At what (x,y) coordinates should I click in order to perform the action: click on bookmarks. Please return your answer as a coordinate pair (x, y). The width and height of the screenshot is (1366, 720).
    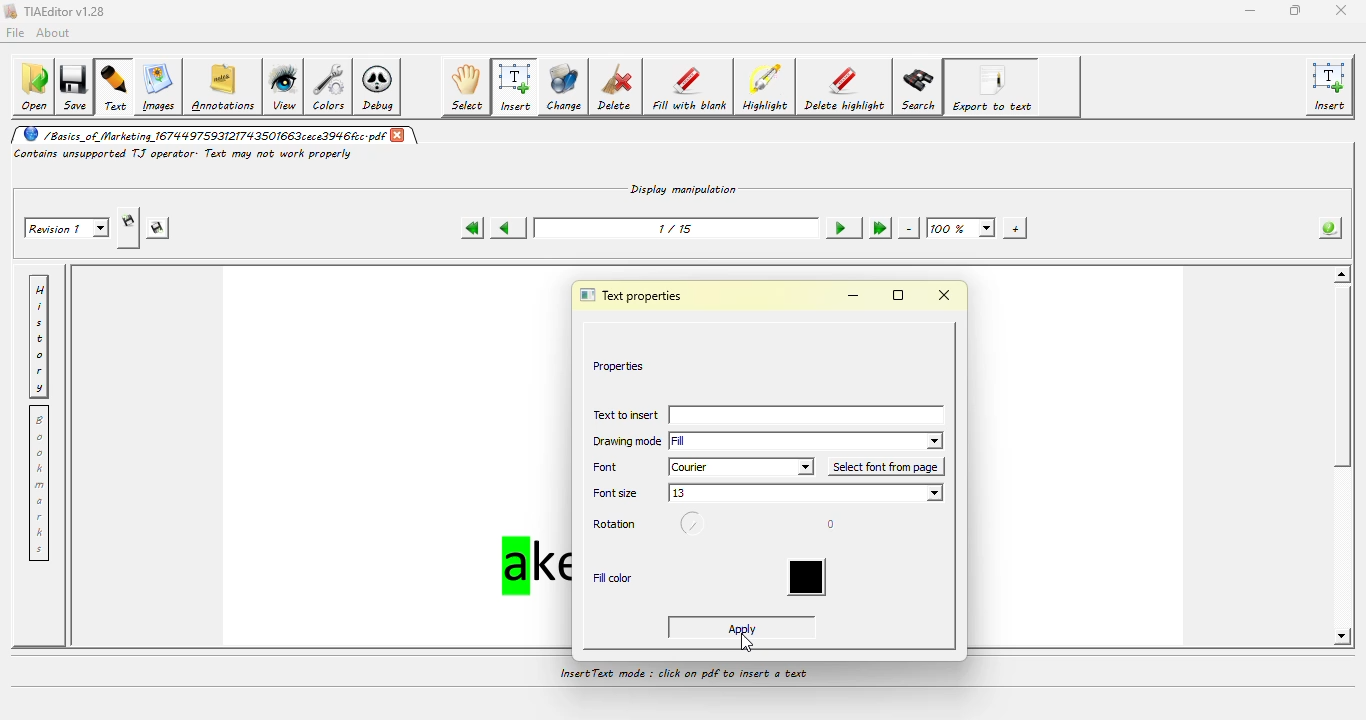
    Looking at the image, I should click on (41, 486).